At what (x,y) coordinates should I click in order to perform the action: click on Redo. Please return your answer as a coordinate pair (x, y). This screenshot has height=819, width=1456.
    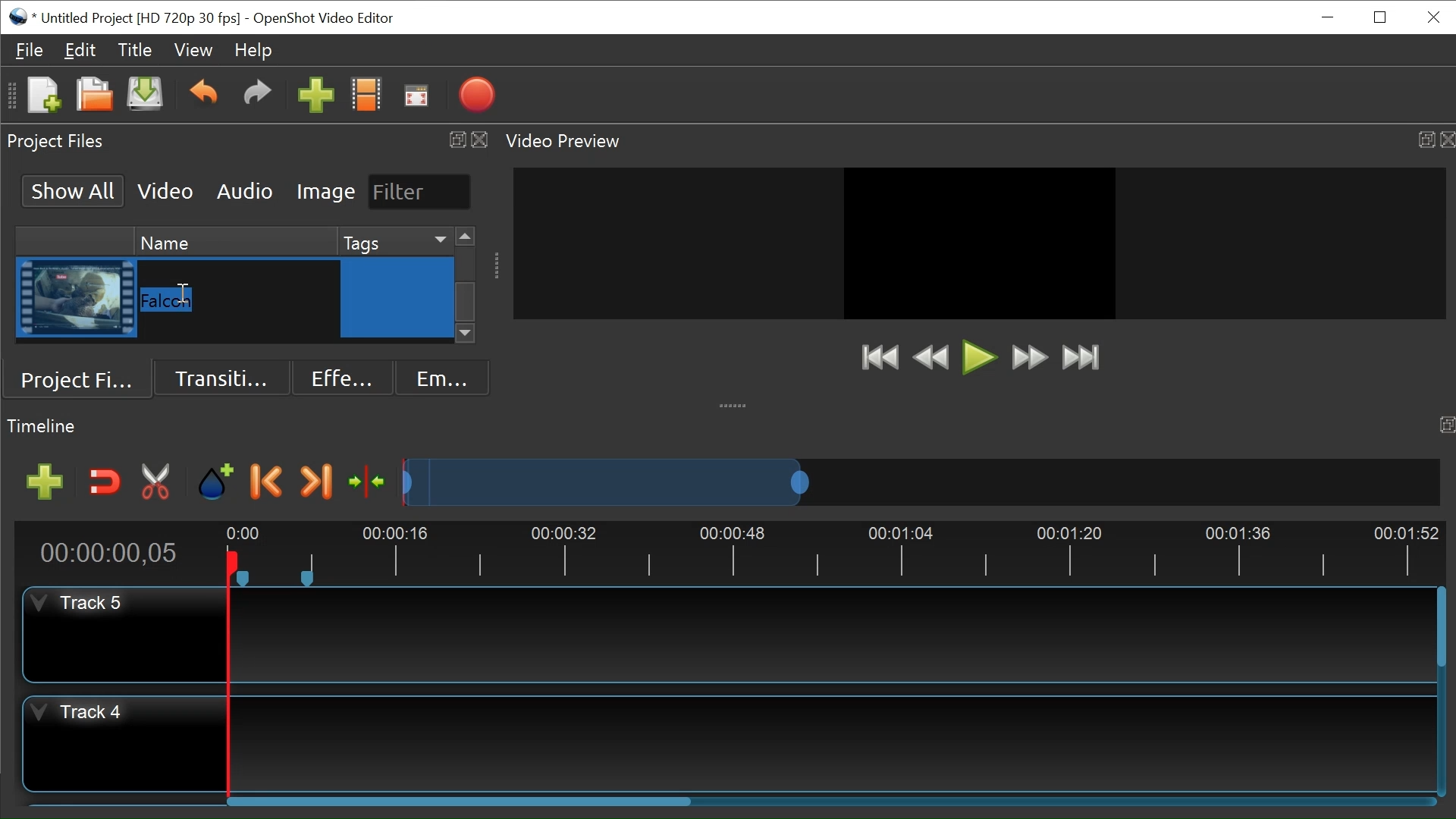
    Looking at the image, I should click on (257, 96).